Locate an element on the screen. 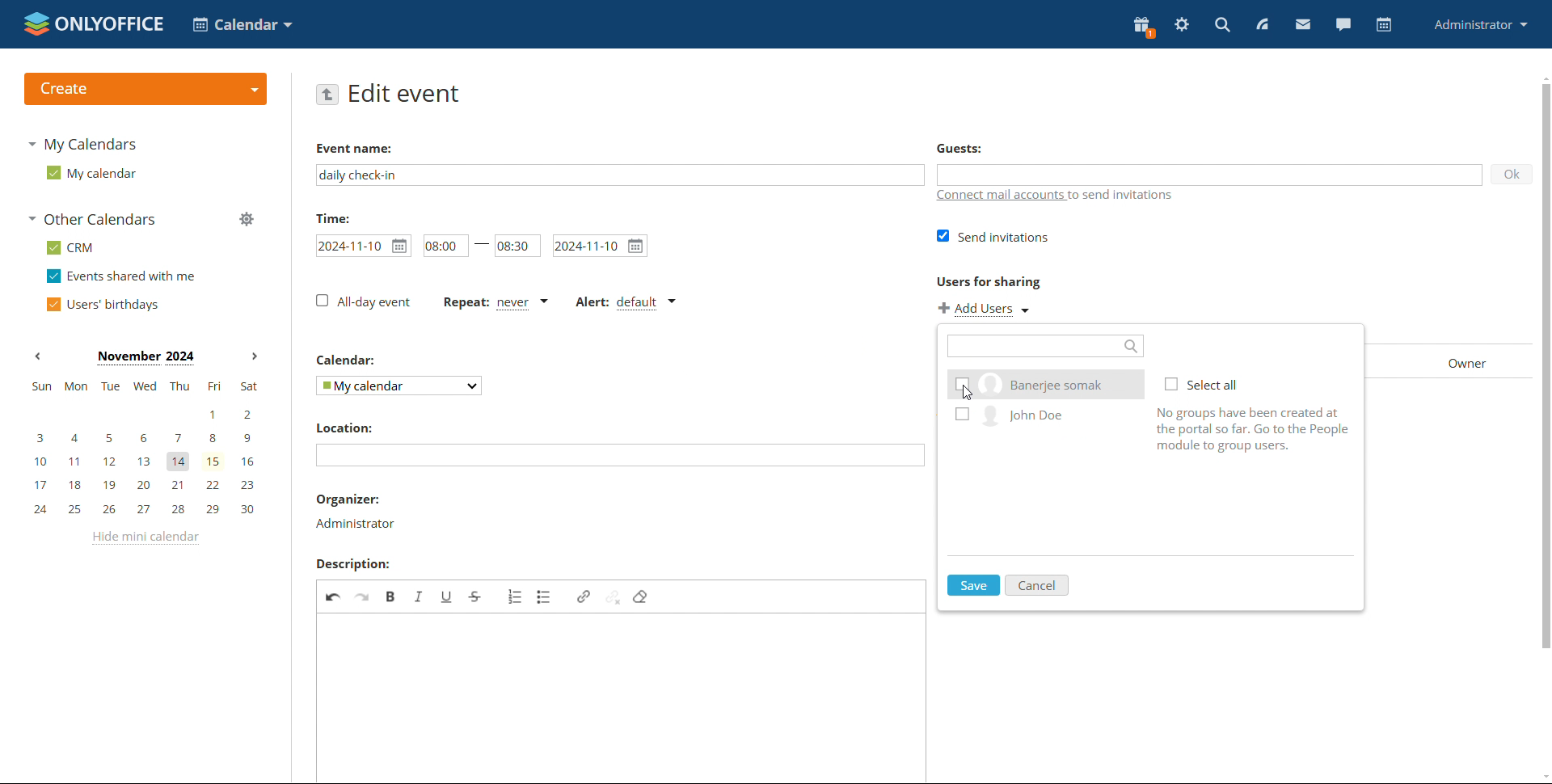 This screenshot has height=784, width=1552. user 2 is located at coordinates (1043, 419).